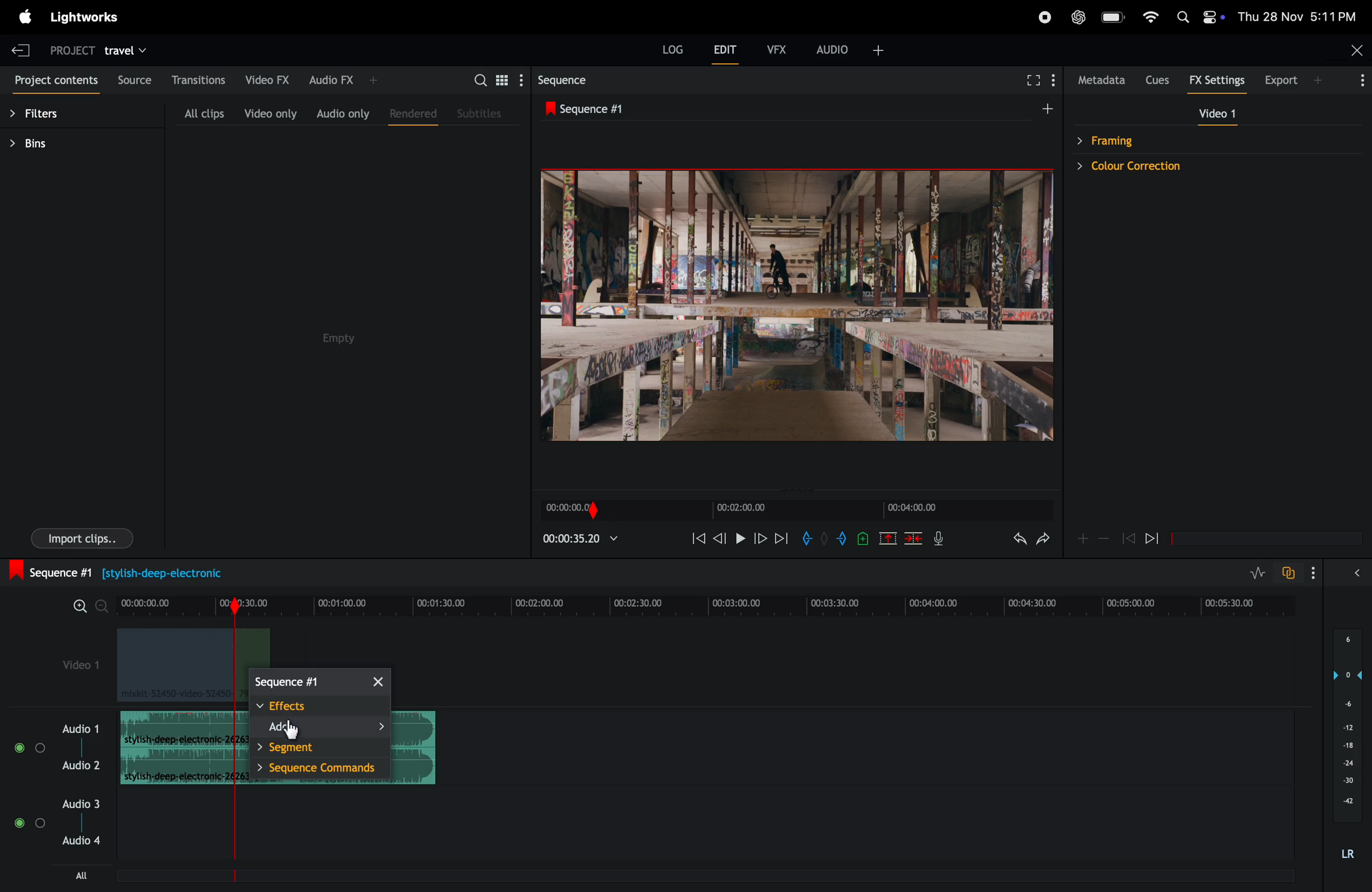 The height and width of the screenshot is (892, 1372). I want to click on light works menu, so click(84, 16).